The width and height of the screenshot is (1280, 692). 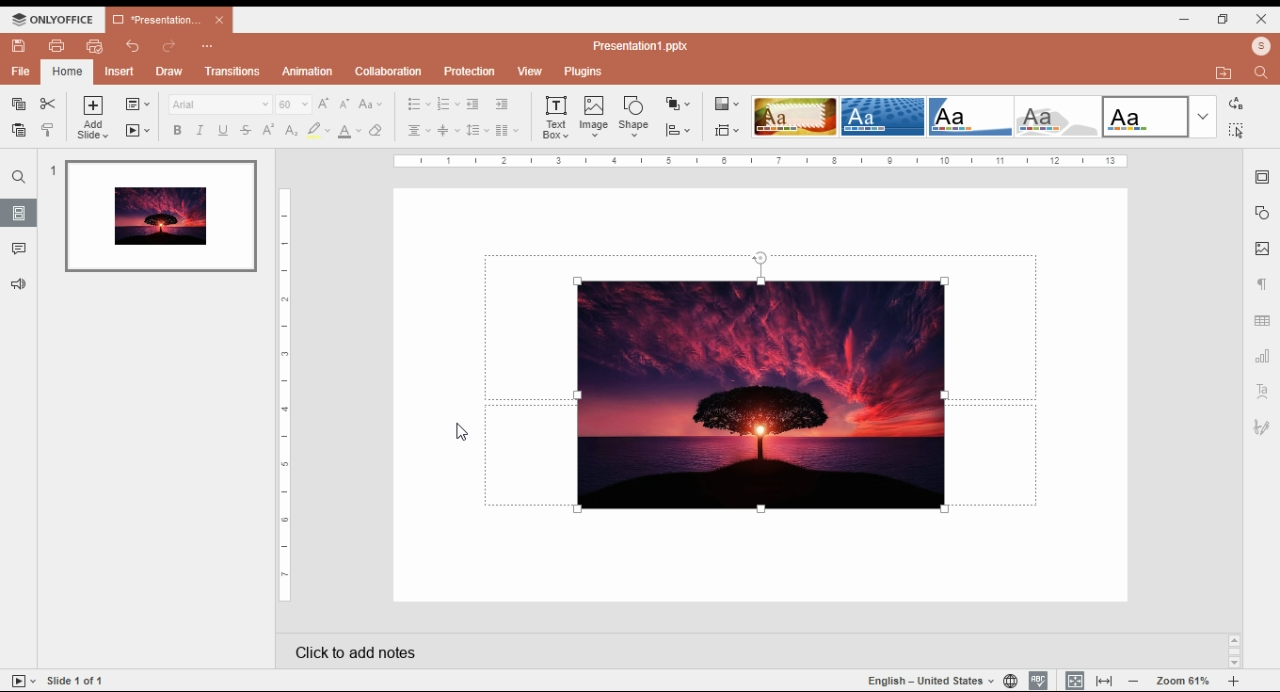 I want to click on plugins, so click(x=584, y=72).